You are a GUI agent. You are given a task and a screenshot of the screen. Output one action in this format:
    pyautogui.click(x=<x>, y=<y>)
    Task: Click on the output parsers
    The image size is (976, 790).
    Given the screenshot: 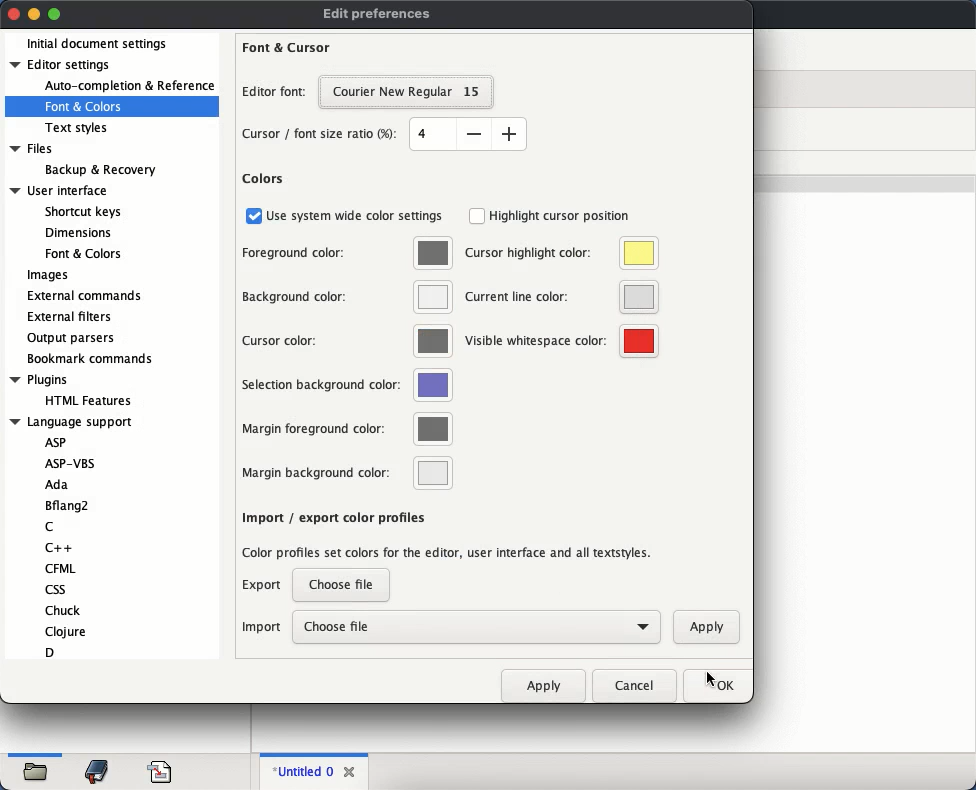 What is the action you would take?
    pyautogui.click(x=73, y=338)
    